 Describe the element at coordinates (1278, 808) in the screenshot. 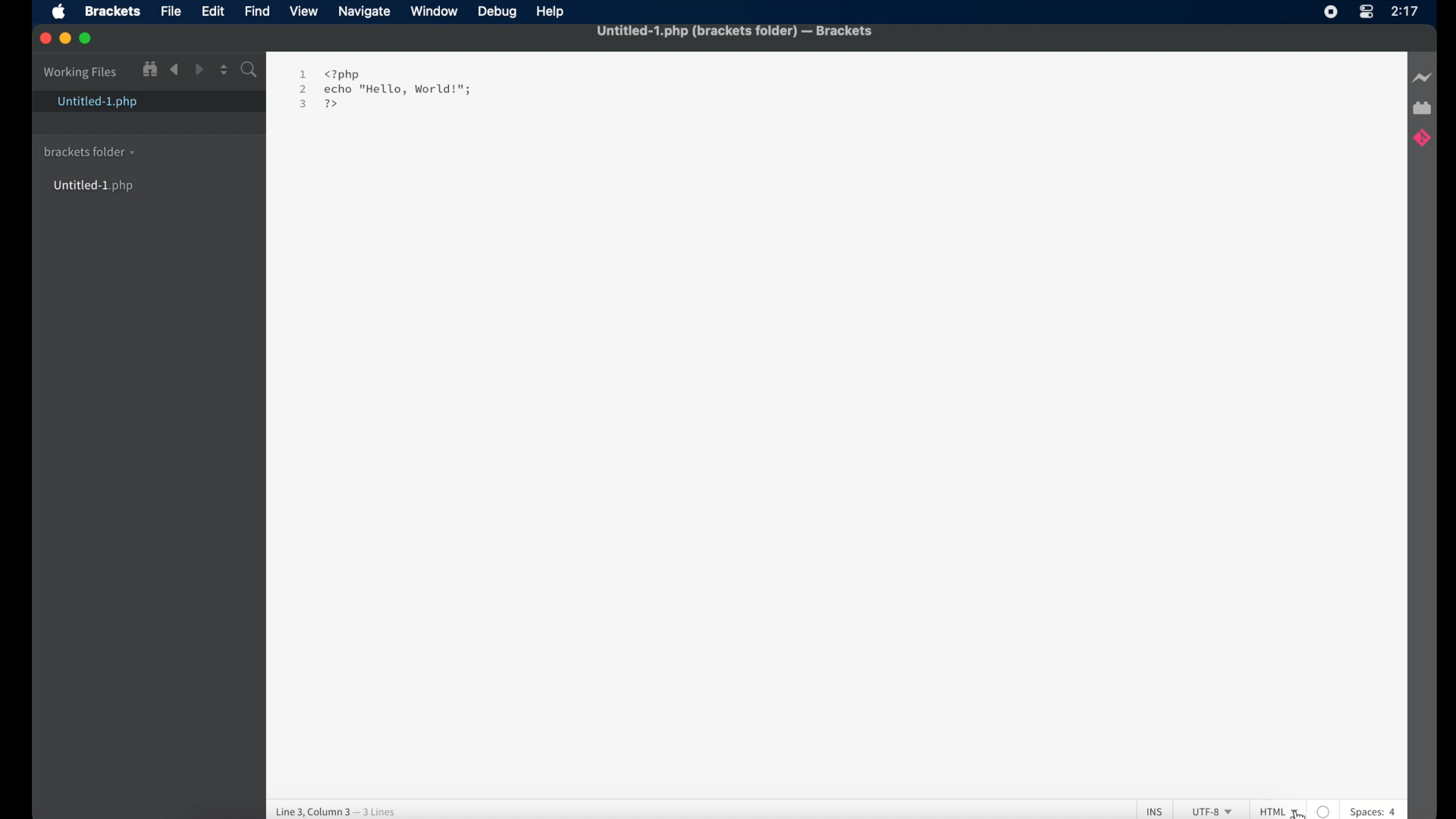

I see `HTML` at that location.